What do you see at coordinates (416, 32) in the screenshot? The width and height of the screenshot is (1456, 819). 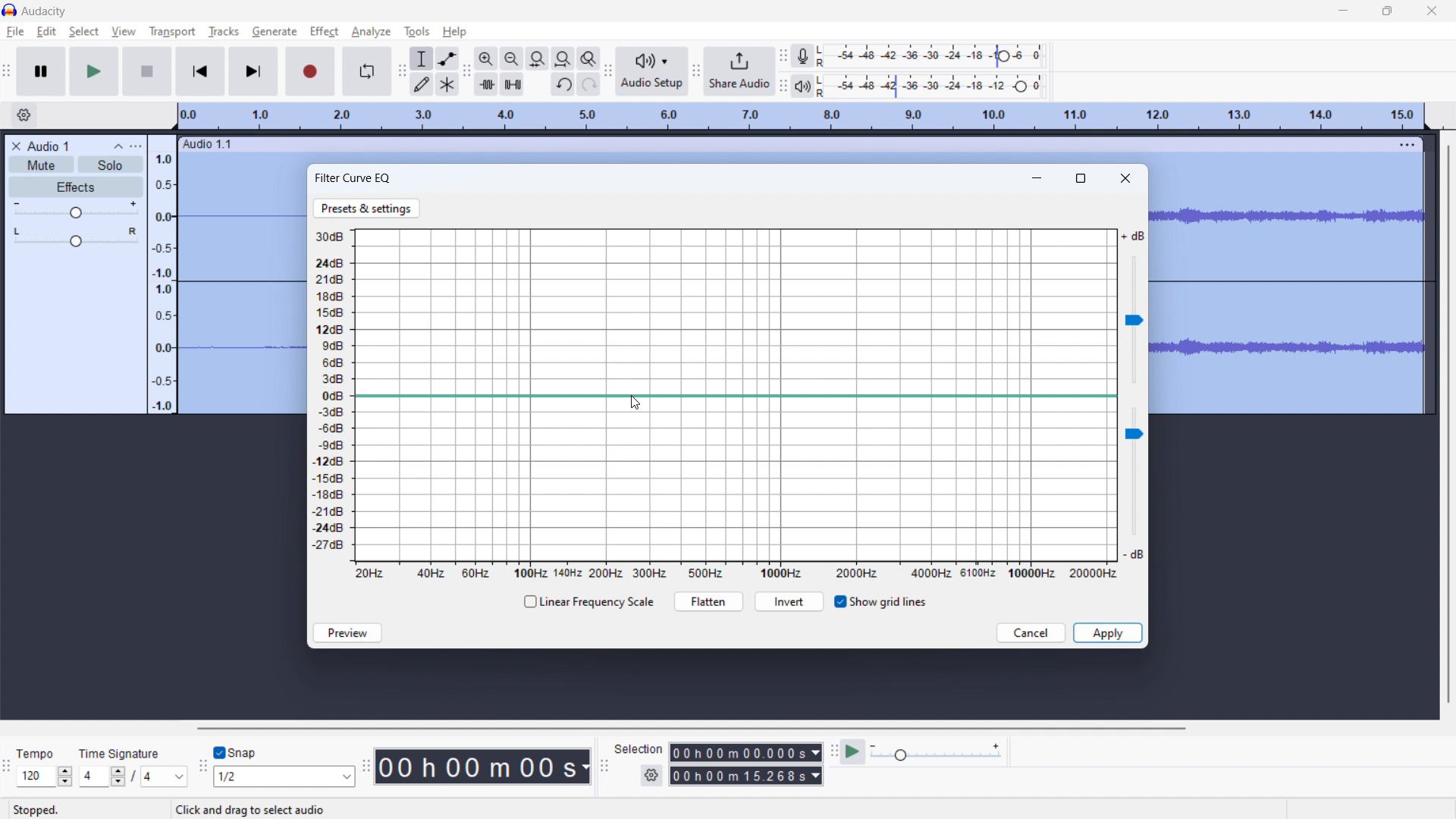 I see `tools` at bounding box center [416, 32].